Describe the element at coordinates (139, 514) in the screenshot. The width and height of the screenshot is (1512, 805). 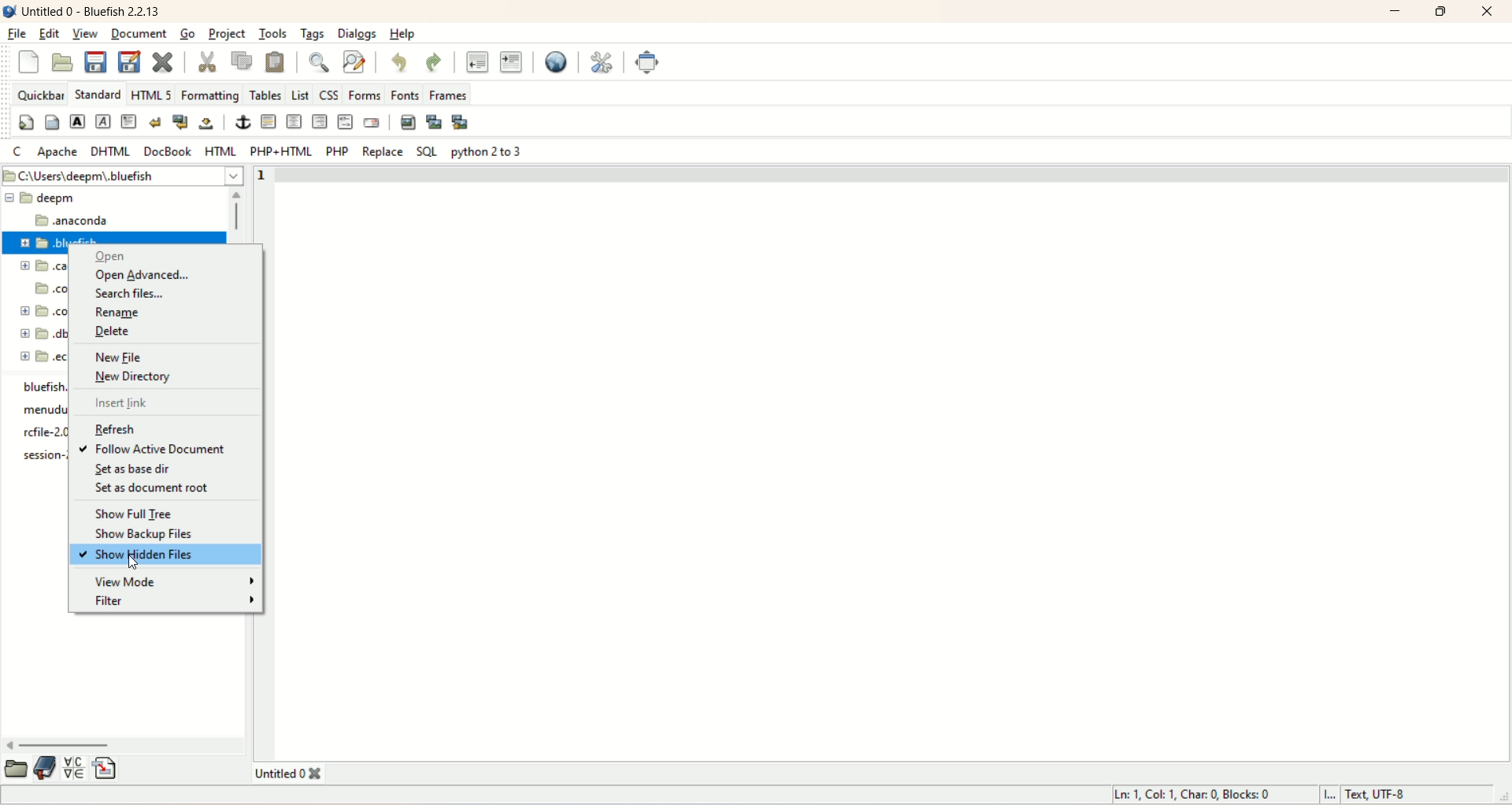
I see `show full tree` at that location.